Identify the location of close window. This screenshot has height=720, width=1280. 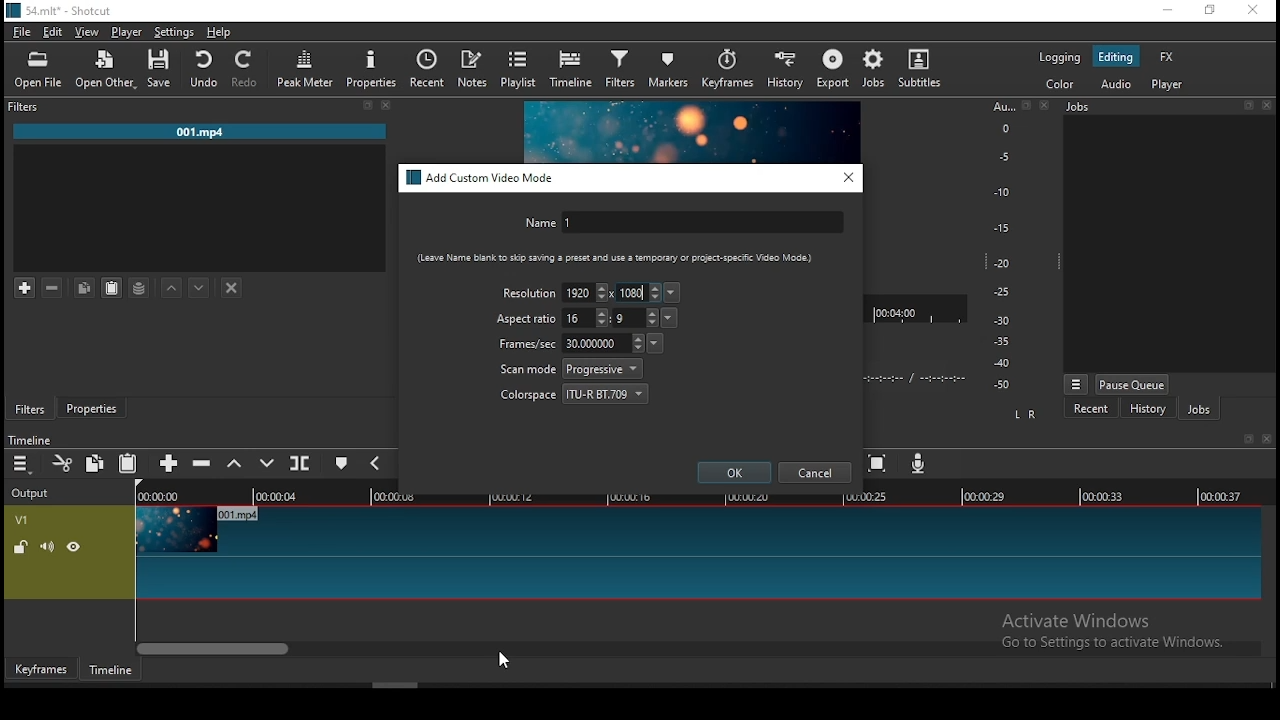
(849, 177).